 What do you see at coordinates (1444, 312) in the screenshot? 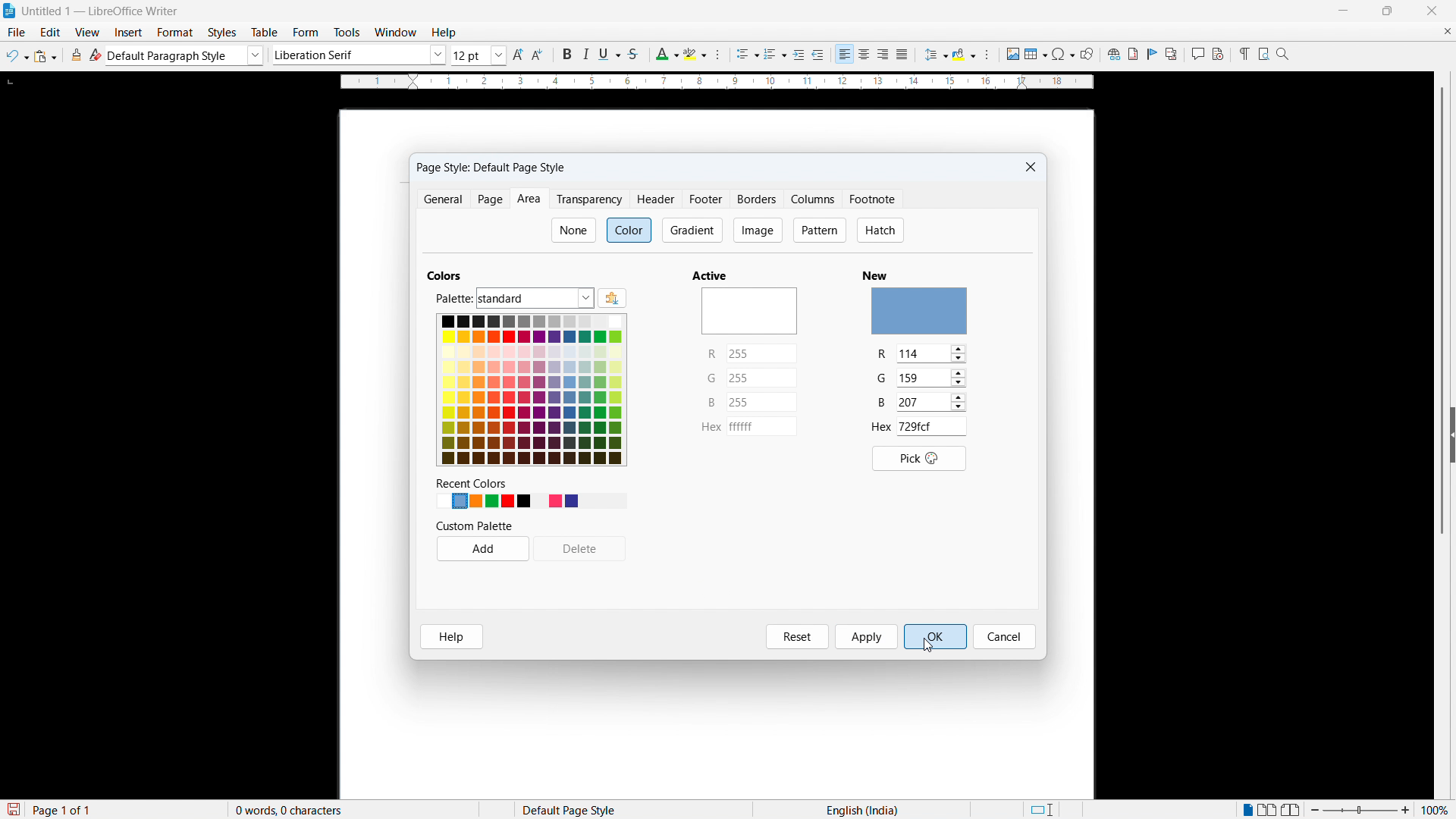
I see `Scroll bar ` at bounding box center [1444, 312].